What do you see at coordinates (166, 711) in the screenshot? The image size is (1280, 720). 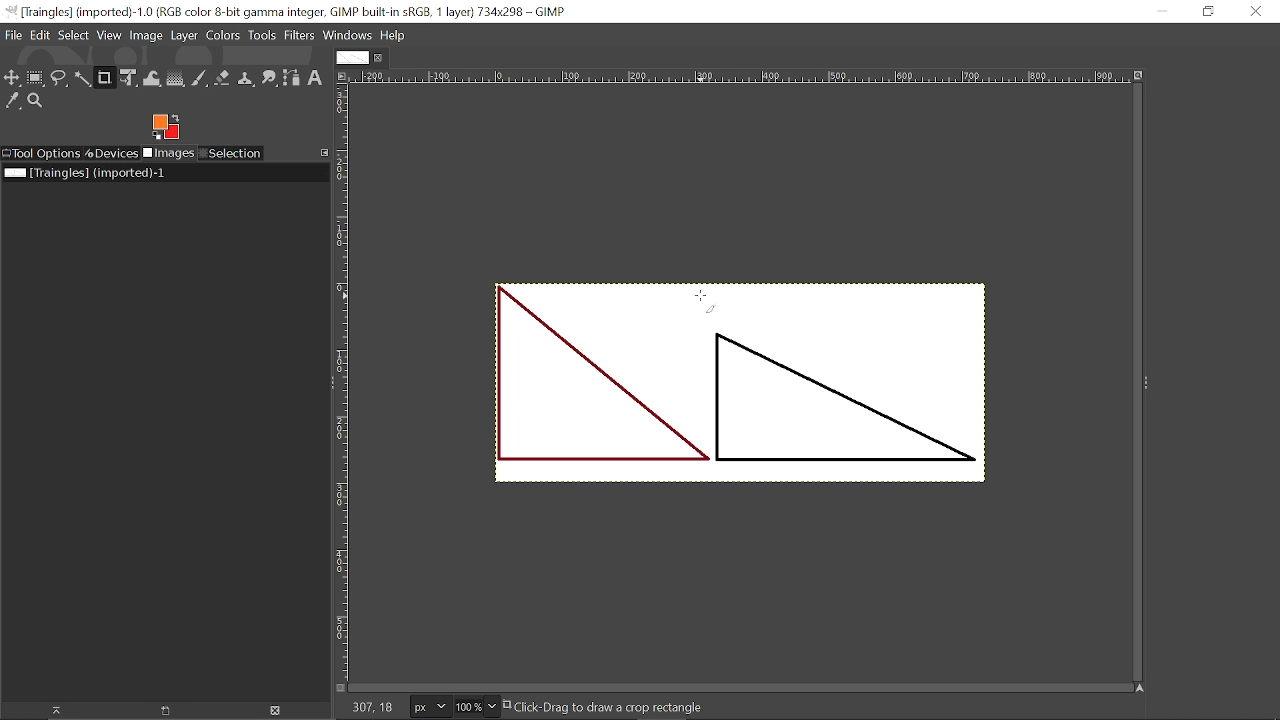 I see `New image display for this image` at bounding box center [166, 711].